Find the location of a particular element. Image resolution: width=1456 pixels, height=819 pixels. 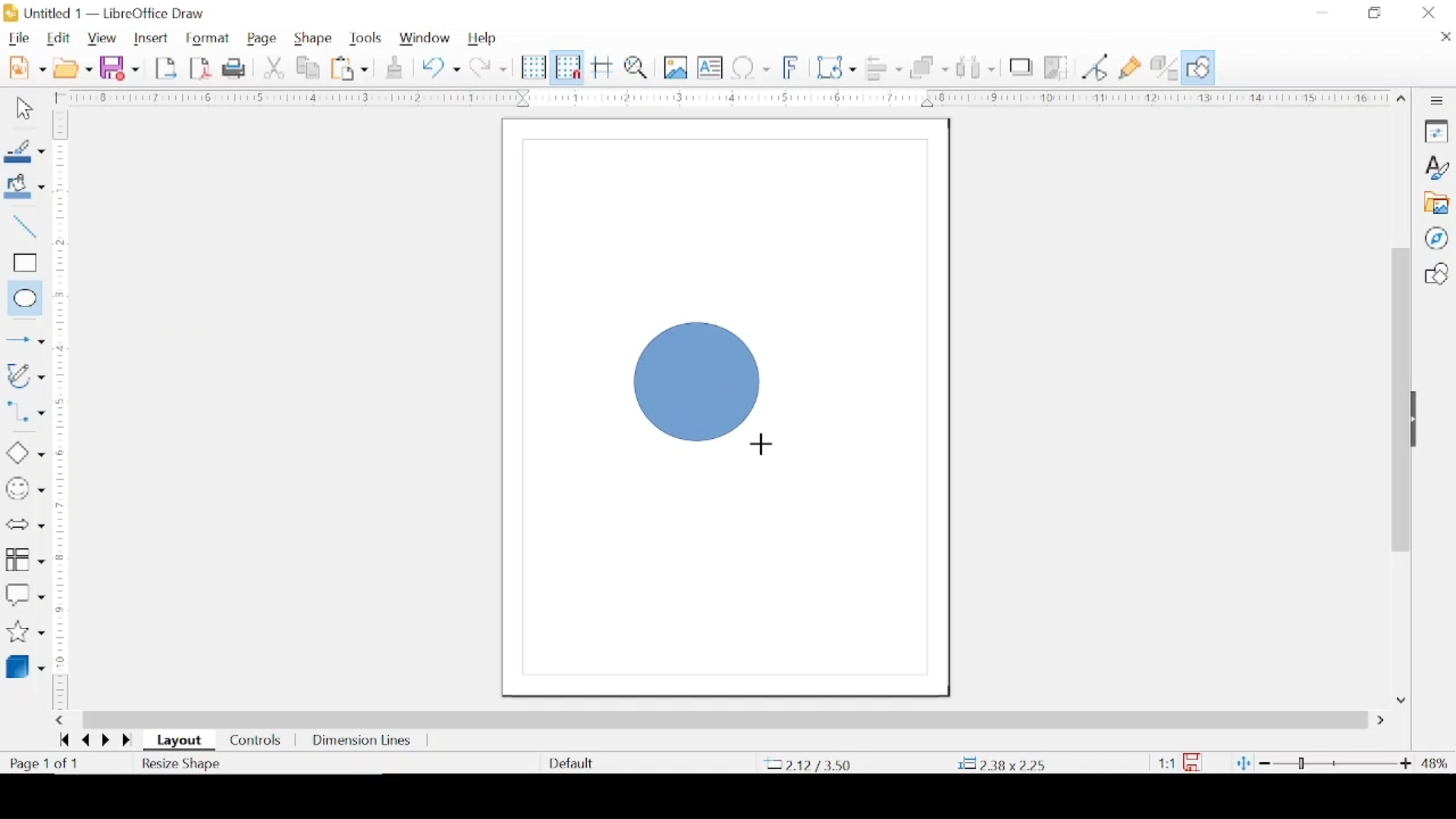

styles is located at coordinates (1438, 167).